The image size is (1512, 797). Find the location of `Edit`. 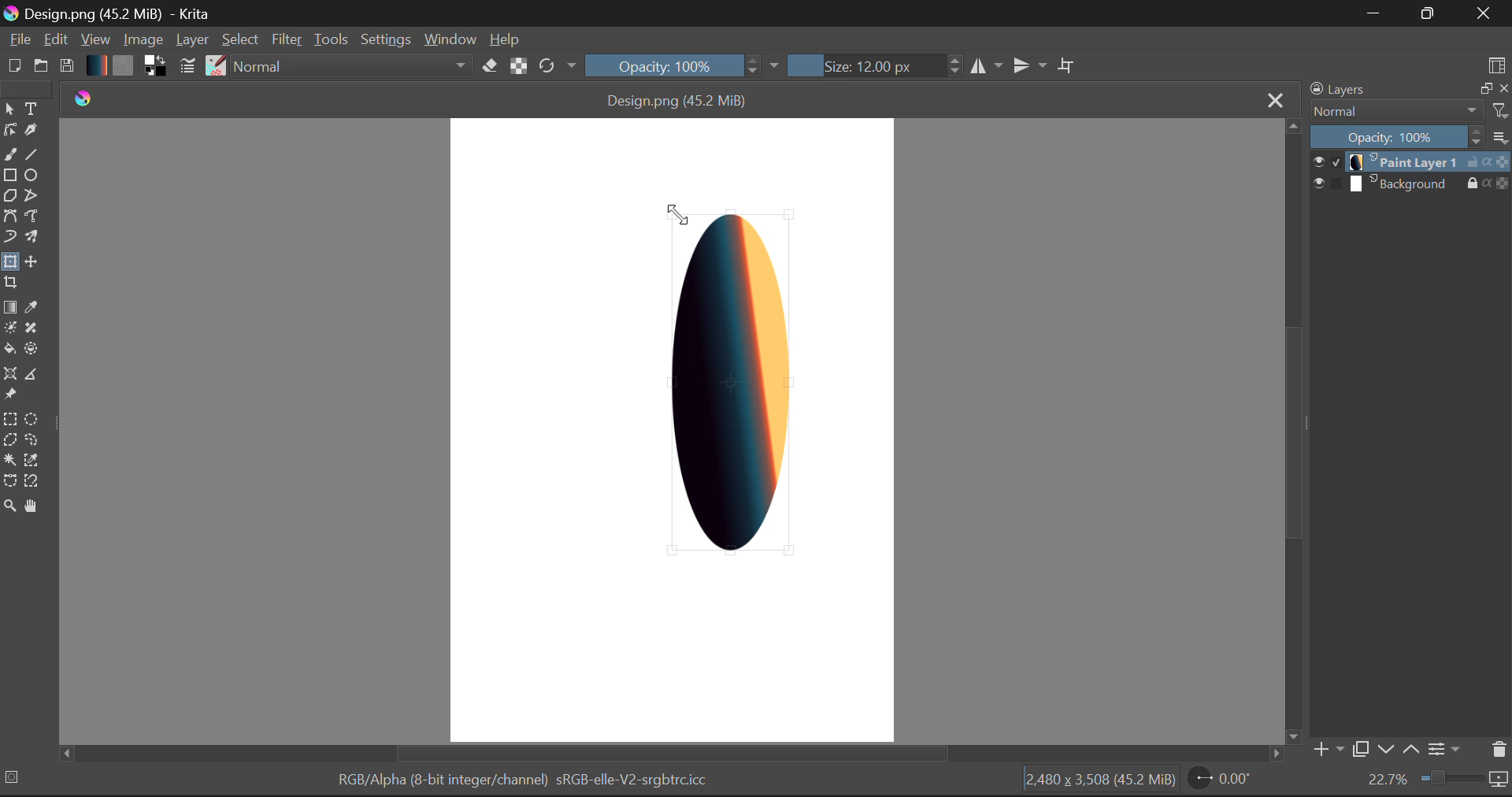

Edit is located at coordinates (55, 39).